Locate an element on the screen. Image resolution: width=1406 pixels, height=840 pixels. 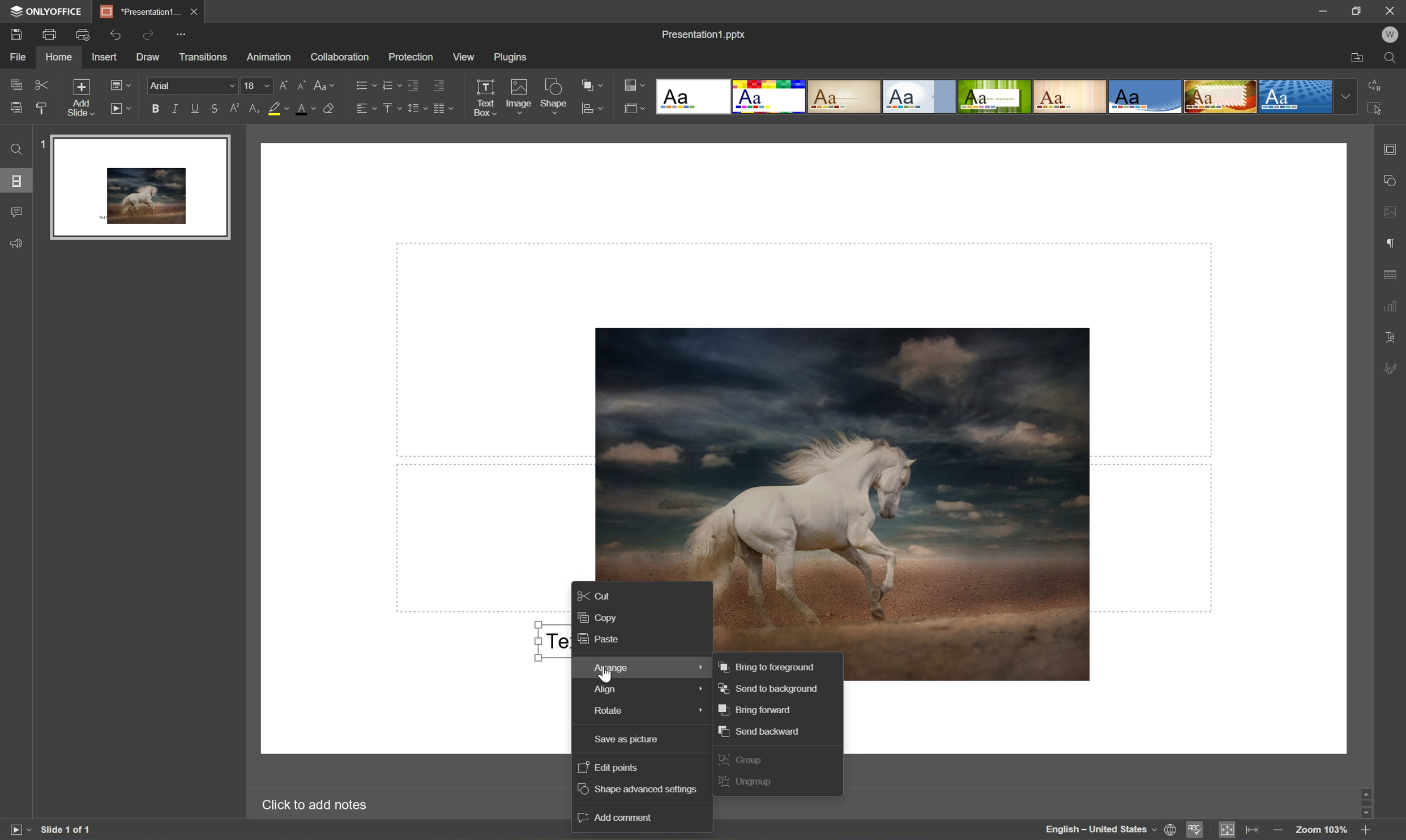
Minimize is located at coordinates (1315, 10).